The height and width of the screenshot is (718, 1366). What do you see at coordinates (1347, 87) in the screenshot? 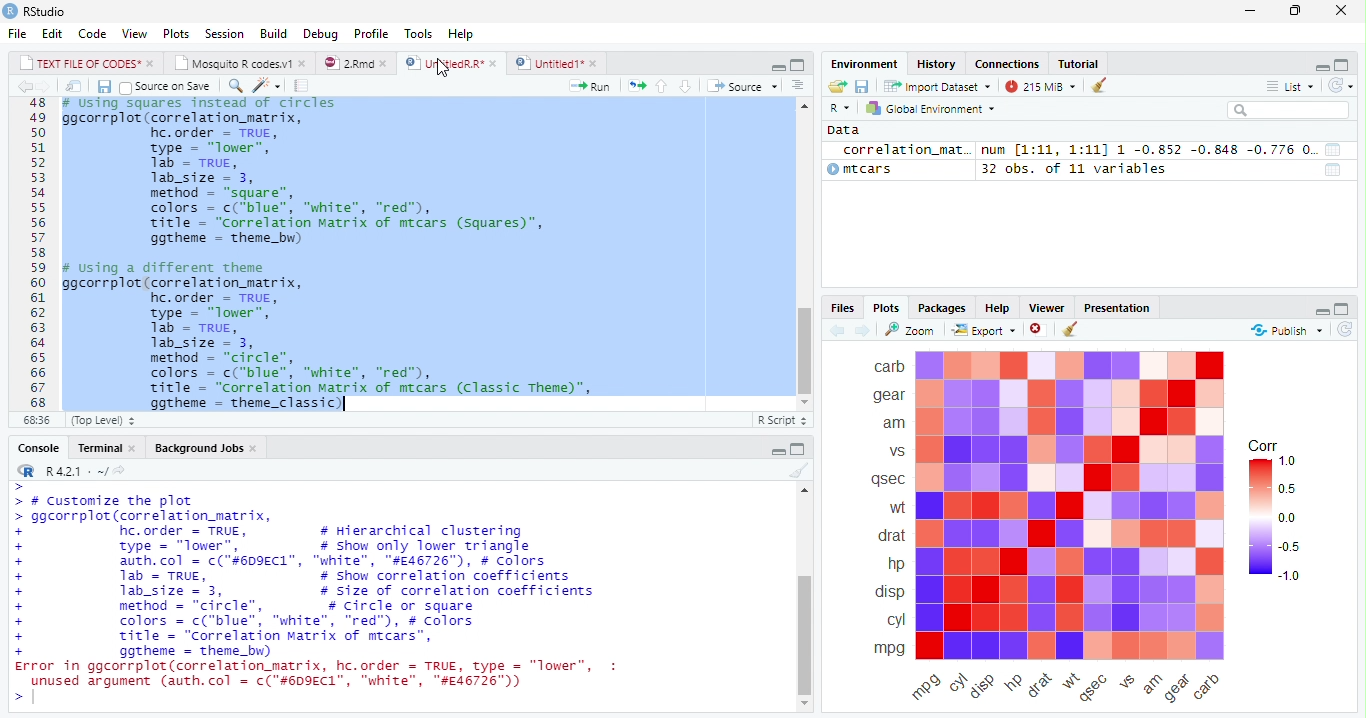
I see `refresh` at bounding box center [1347, 87].